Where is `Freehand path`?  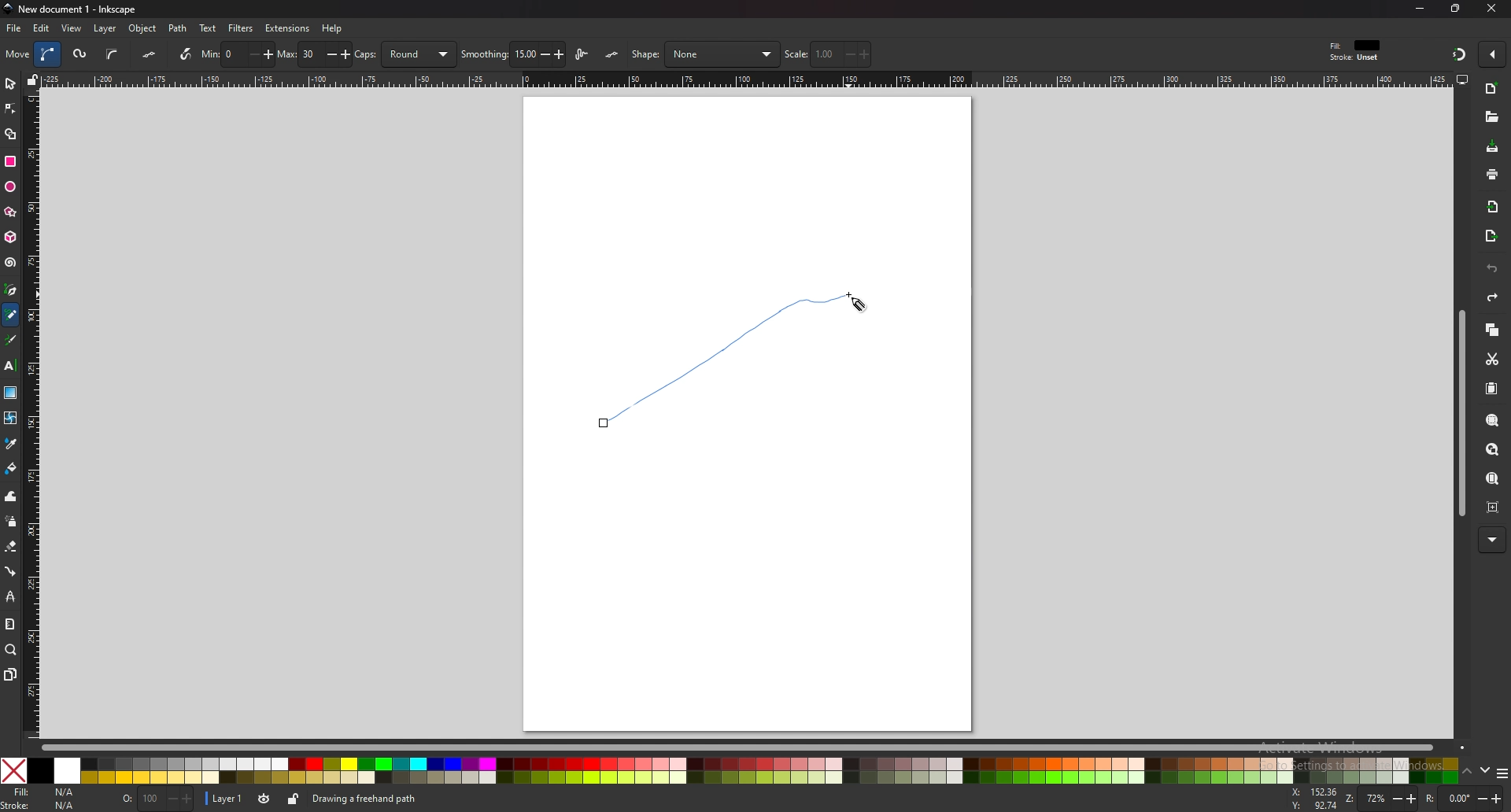 Freehand path is located at coordinates (723, 359).